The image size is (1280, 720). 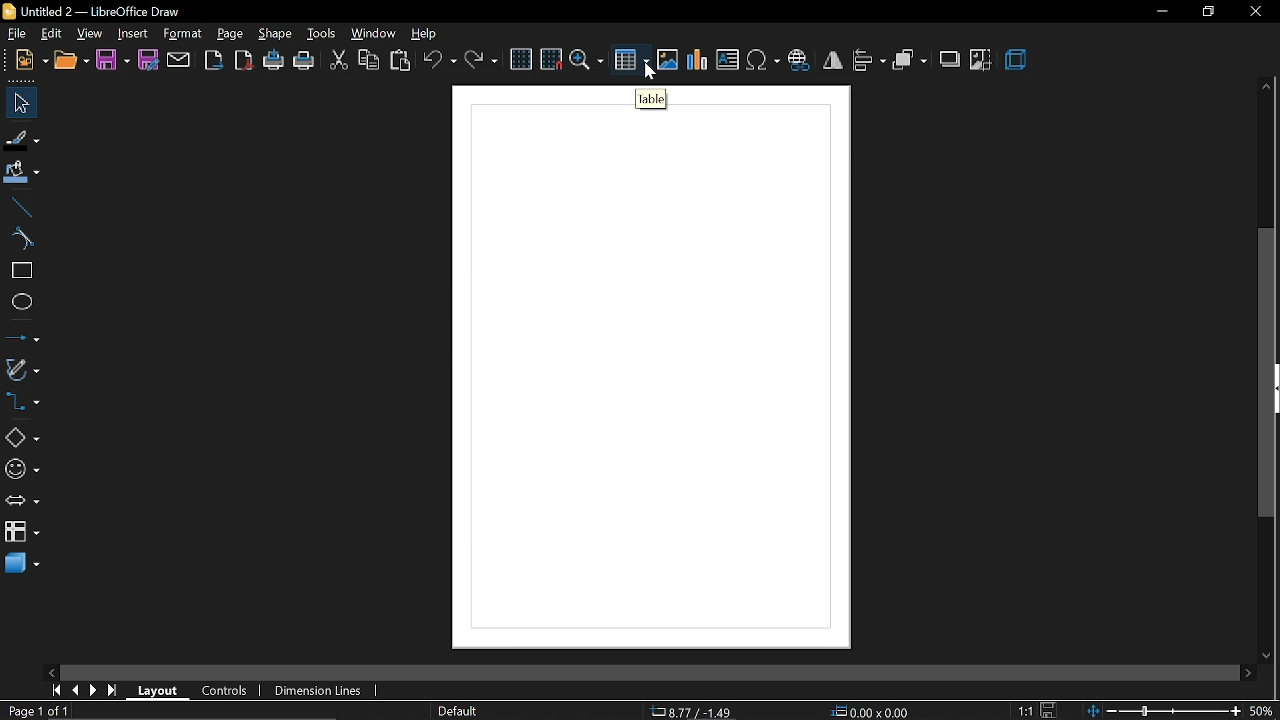 What do you see at coordinates (763, 61) in the screenshot?
I see `insert symbol` at bounding box center [763, 61].